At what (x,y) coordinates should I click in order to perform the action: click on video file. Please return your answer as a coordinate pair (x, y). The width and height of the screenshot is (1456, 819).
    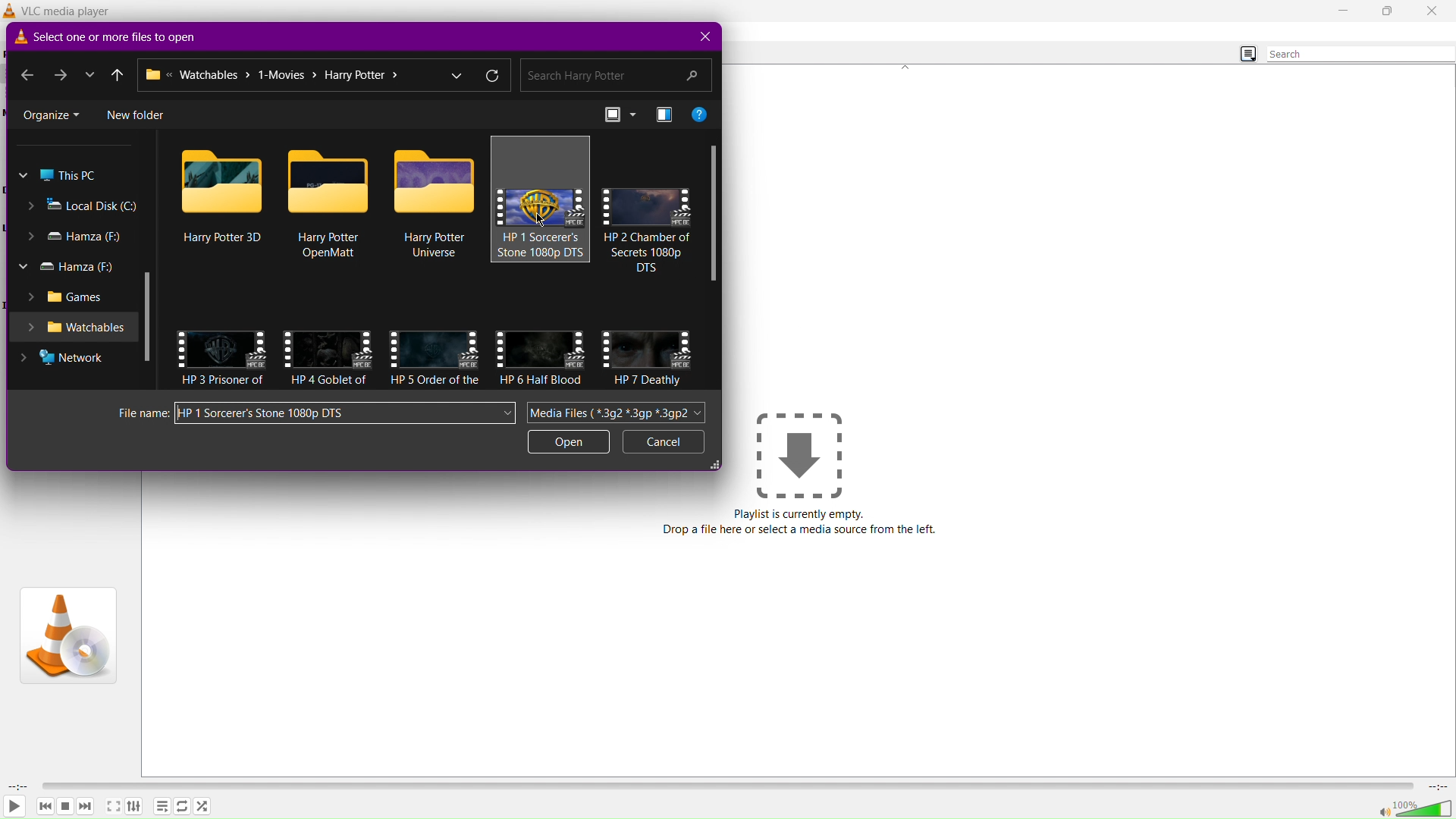
    Looking at the image, I should click on (648, 350).